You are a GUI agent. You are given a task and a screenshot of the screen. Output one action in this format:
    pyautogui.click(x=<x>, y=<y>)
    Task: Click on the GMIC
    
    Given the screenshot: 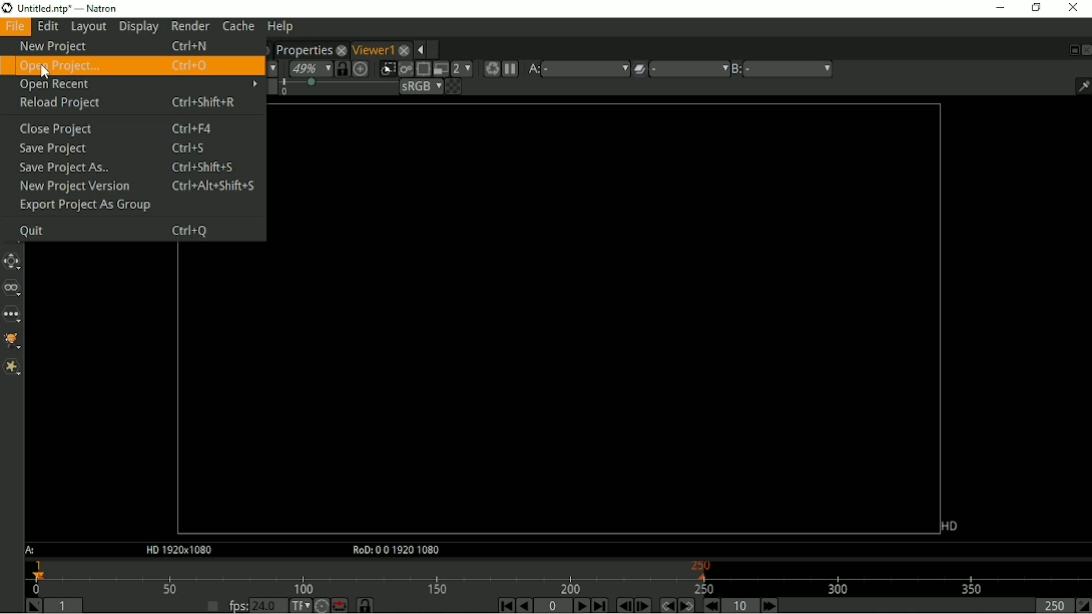 What is the action you would take?
    pyautogui.click(x=13, y=342)
    